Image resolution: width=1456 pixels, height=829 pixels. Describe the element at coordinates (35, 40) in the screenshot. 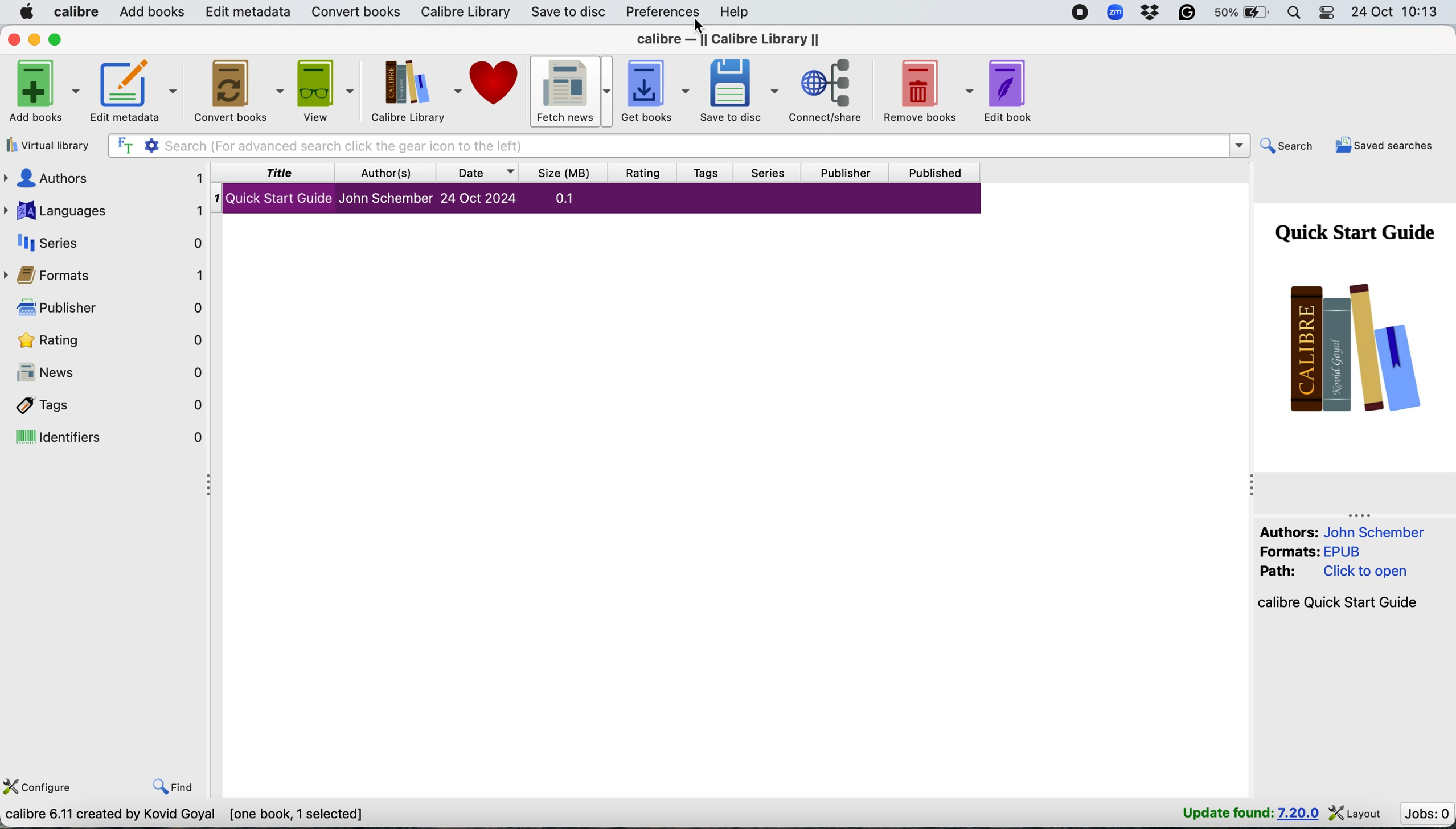

I see `minimise` at that location.